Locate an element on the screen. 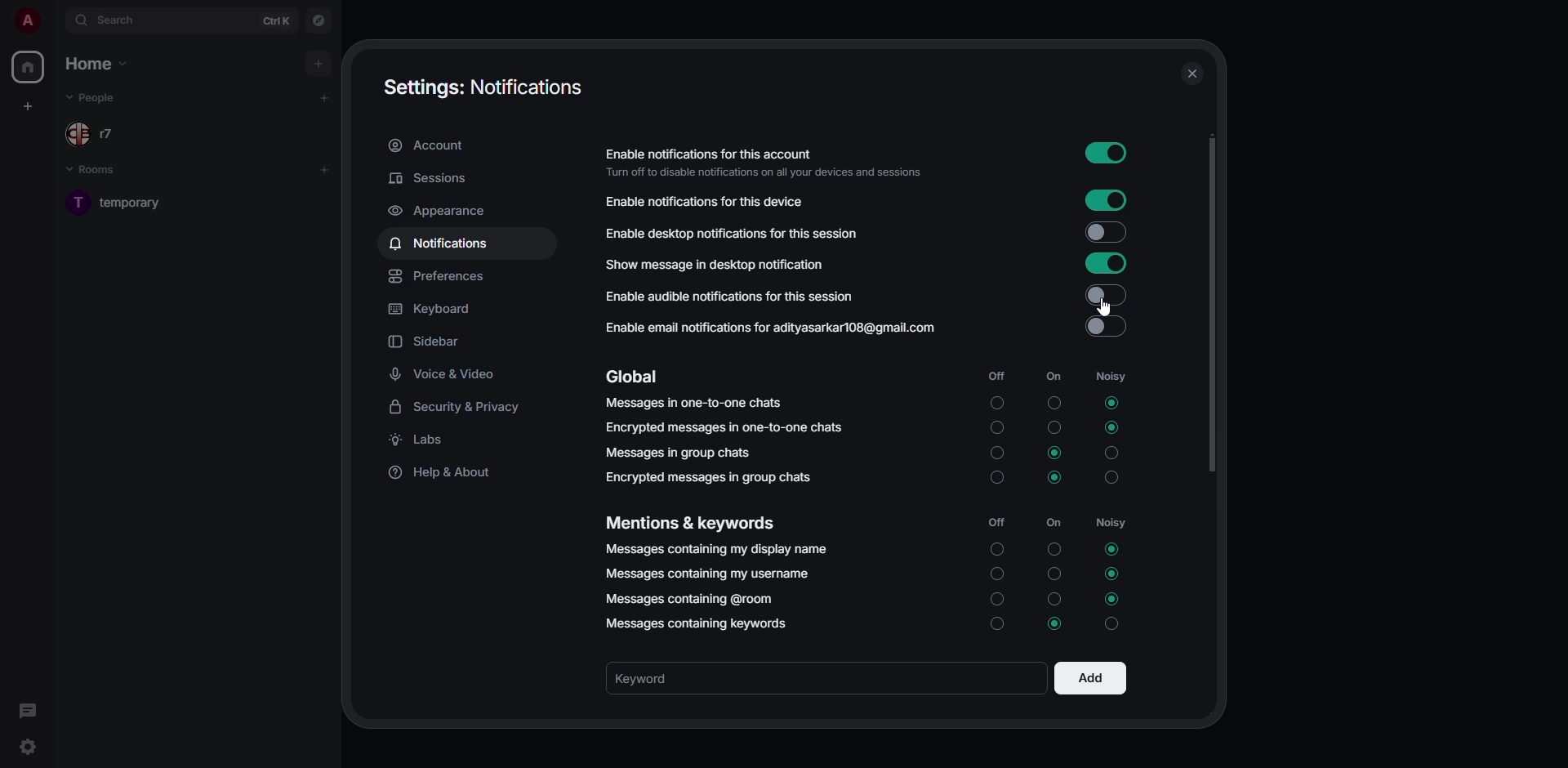  off is located at coordinates (998, 480).